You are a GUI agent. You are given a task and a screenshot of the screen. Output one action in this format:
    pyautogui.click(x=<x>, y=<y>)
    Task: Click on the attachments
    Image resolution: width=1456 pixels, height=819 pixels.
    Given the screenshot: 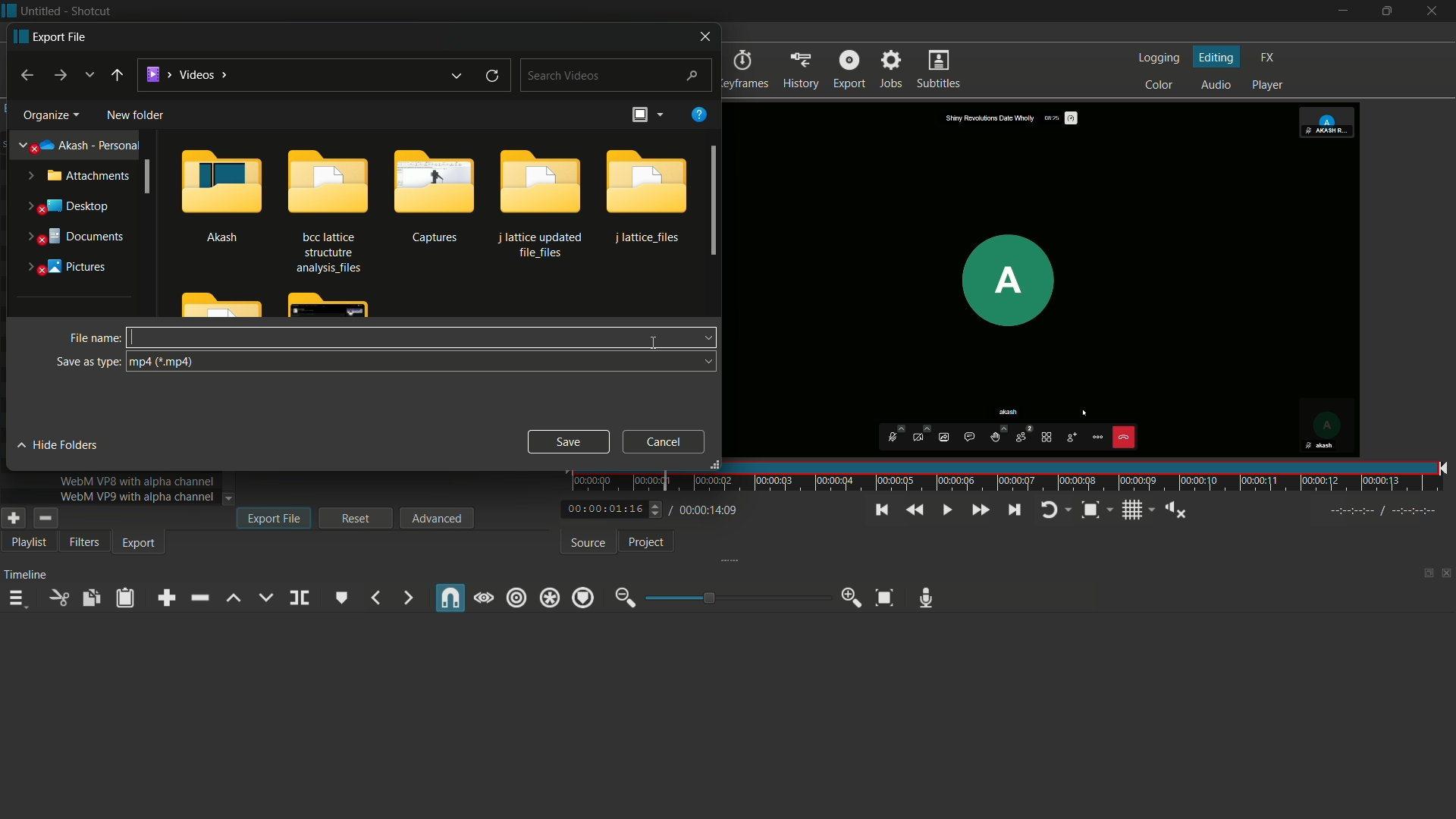 What is the action you would take?
    pyautogui.click(x=78, y=175)
    